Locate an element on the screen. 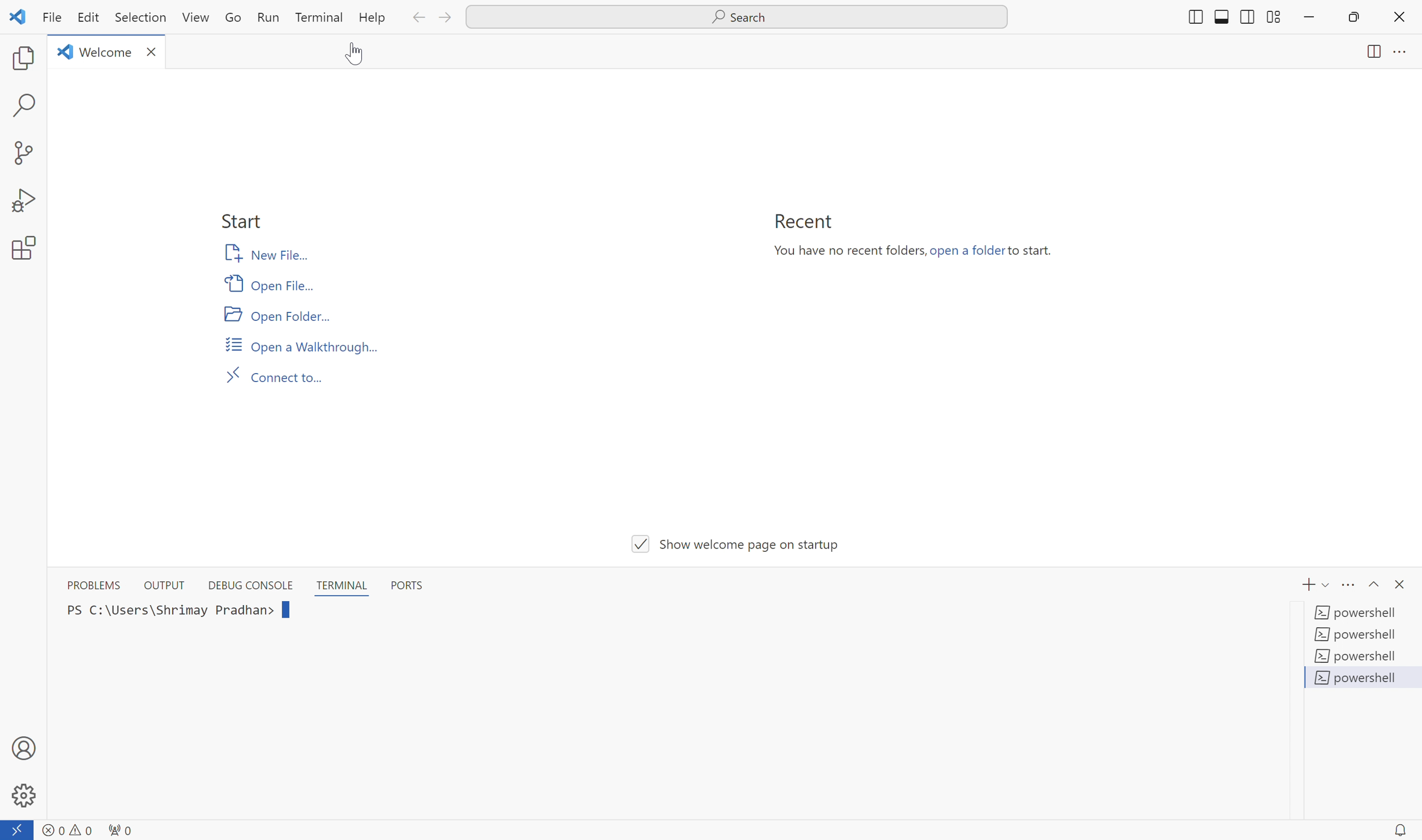  Account is located at coordinates (23, 747).